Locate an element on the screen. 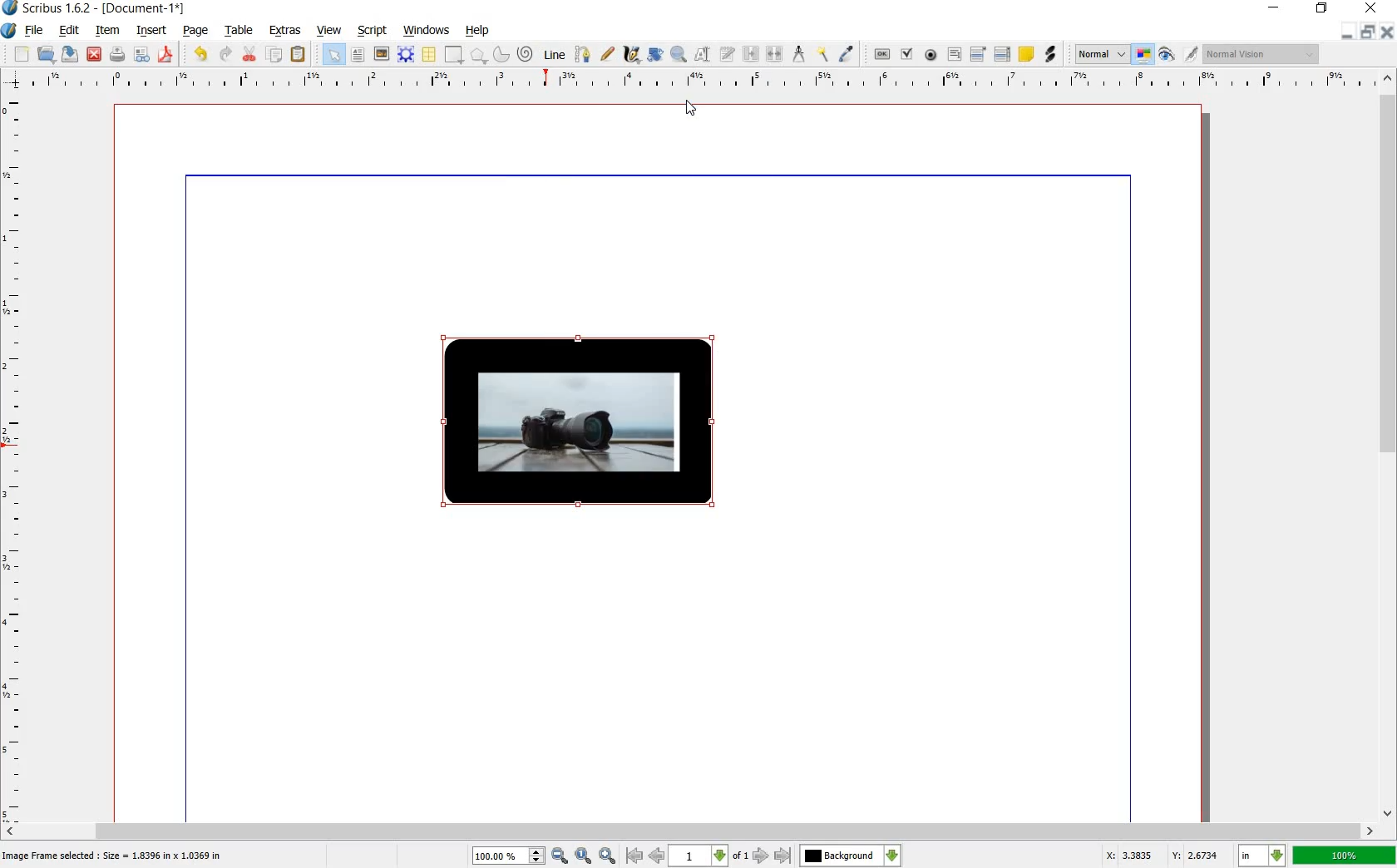 The height and width of the screenshot is (868, 1397). paste is located at coordinates (299, 55).